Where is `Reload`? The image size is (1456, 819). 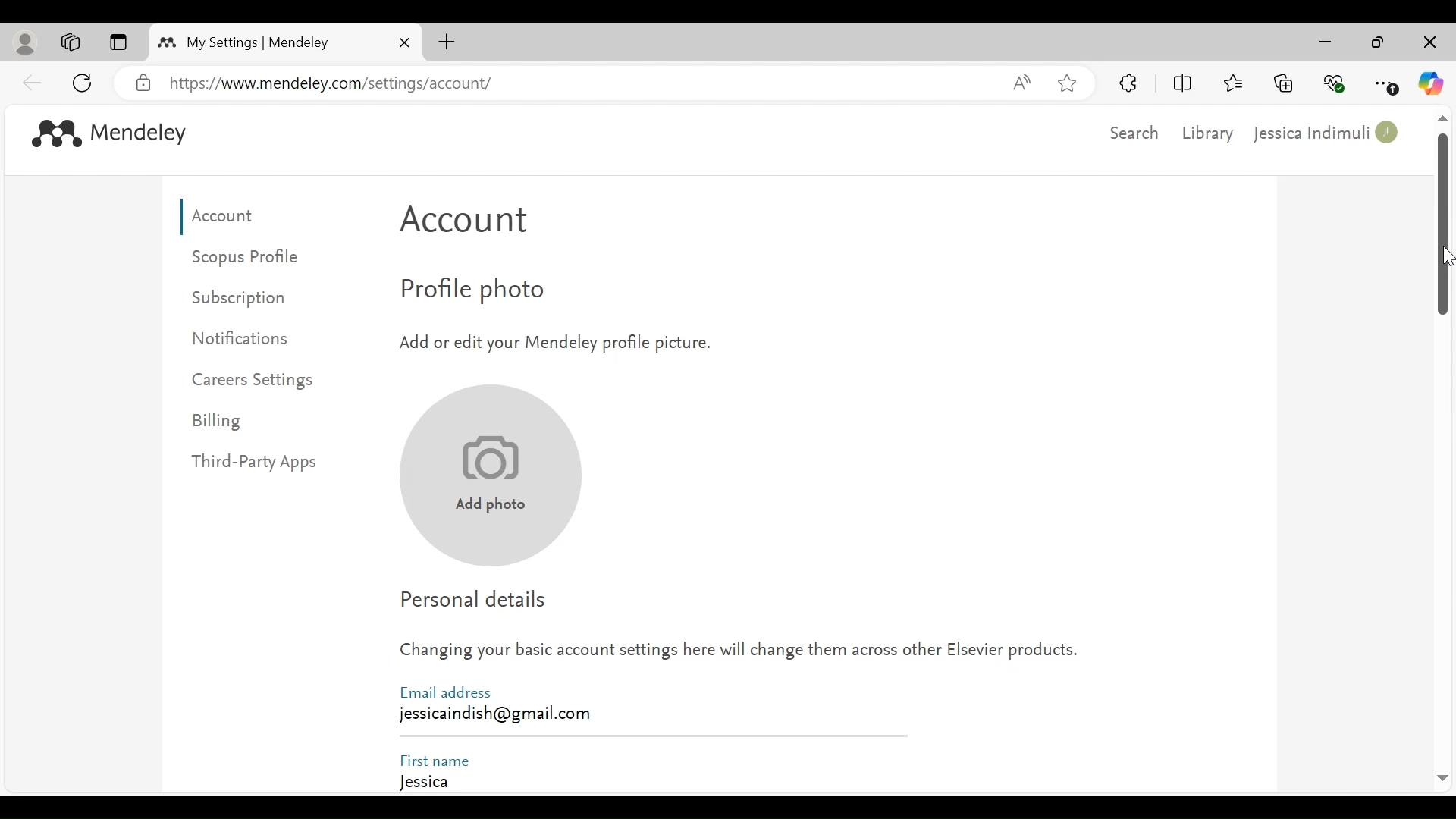 Reload is located at coordinates (85, 81).